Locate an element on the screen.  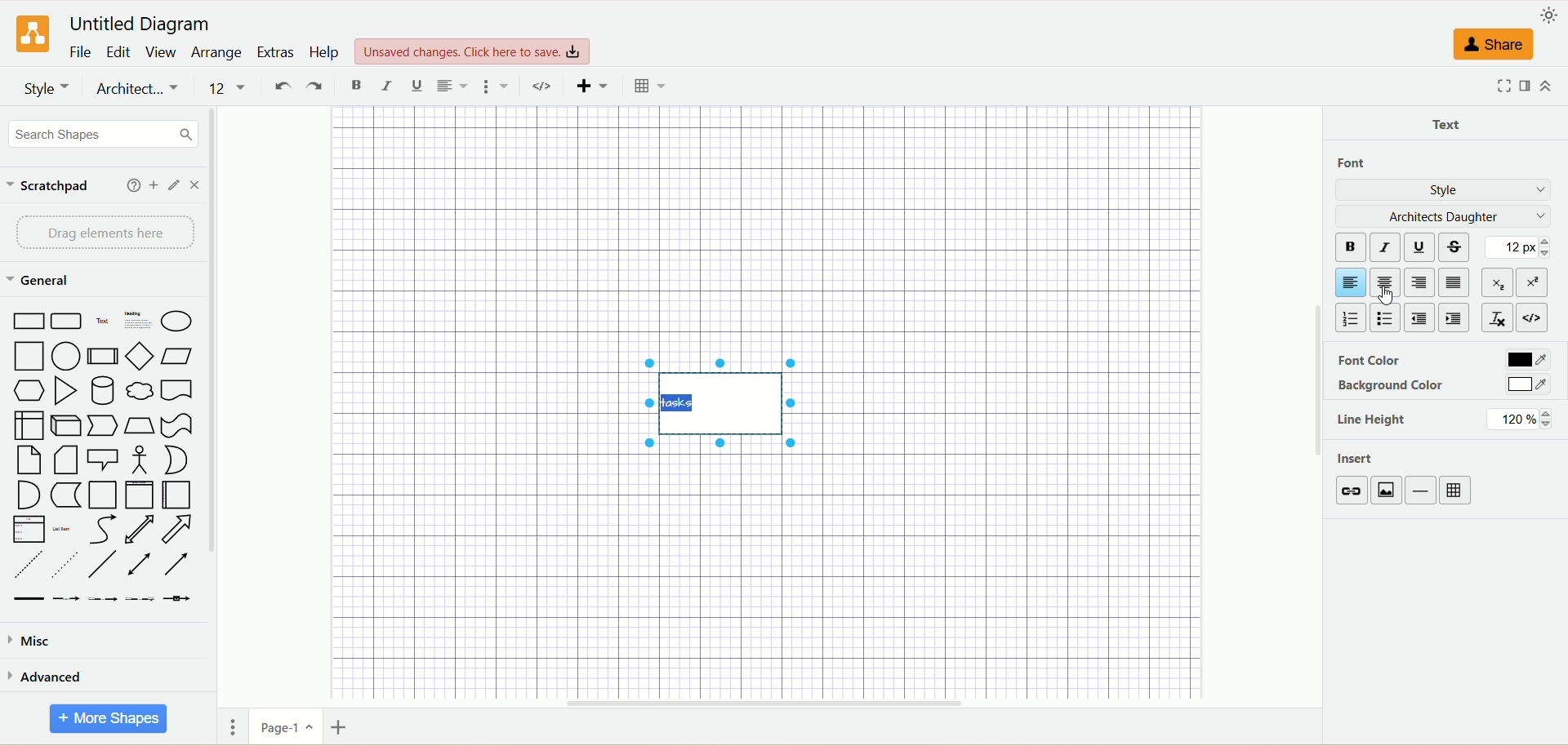
Architect is located at coordinates (138, 90).